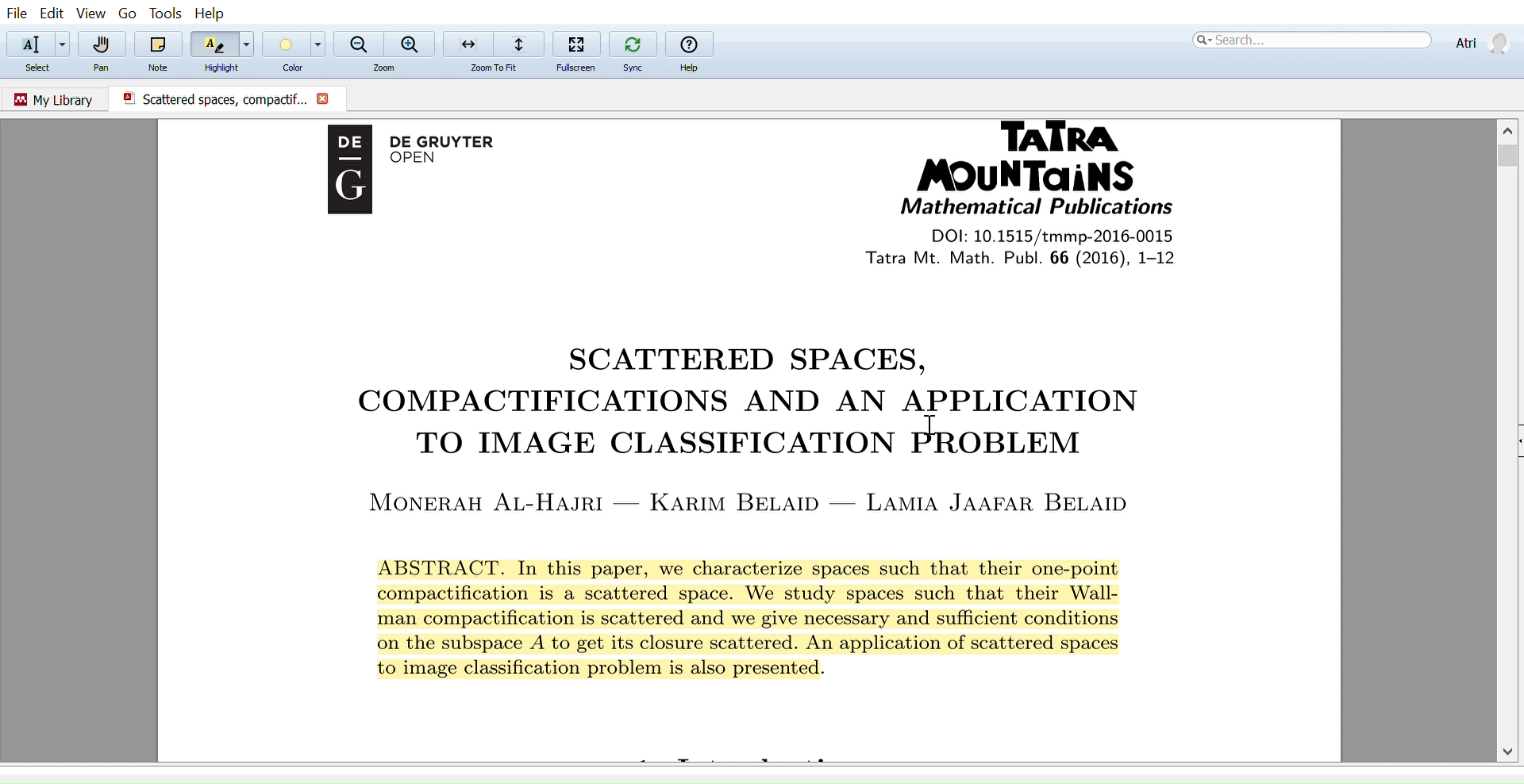 The height and width of the screenshot is (784, 1524). I want to click on Zoom to fit, so click(492, 43).